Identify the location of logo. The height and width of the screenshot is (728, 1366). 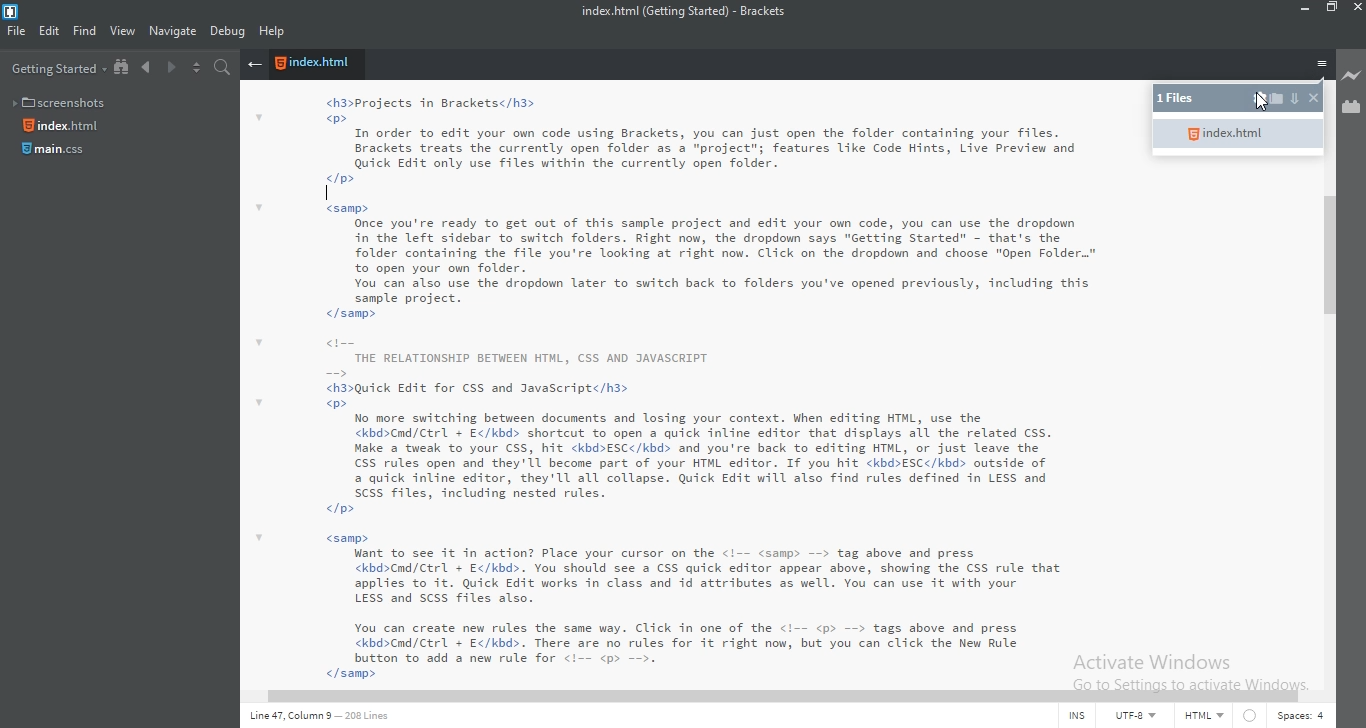
(15, 11).